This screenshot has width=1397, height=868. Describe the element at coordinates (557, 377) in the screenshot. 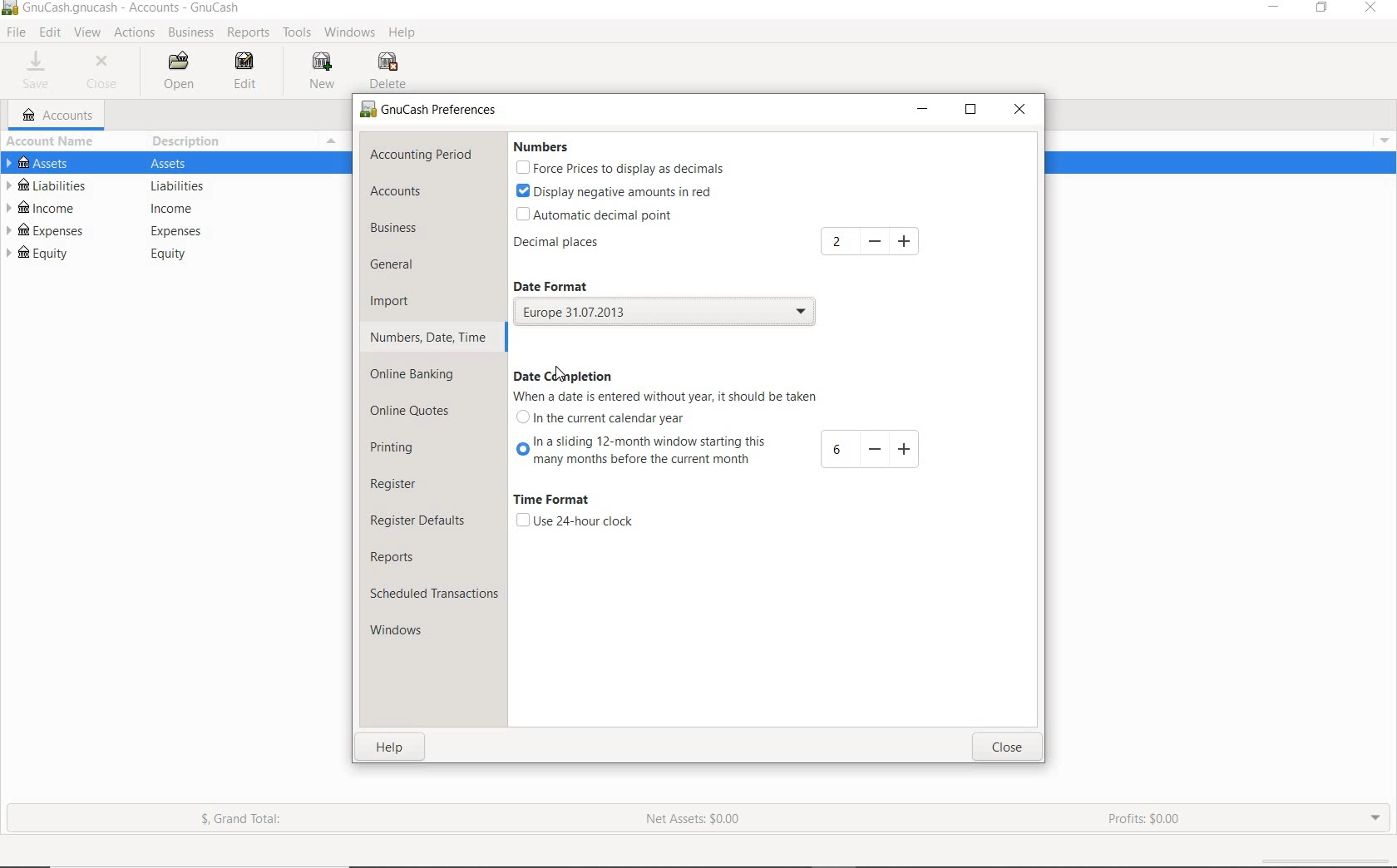

I see `Cursor` at that location.